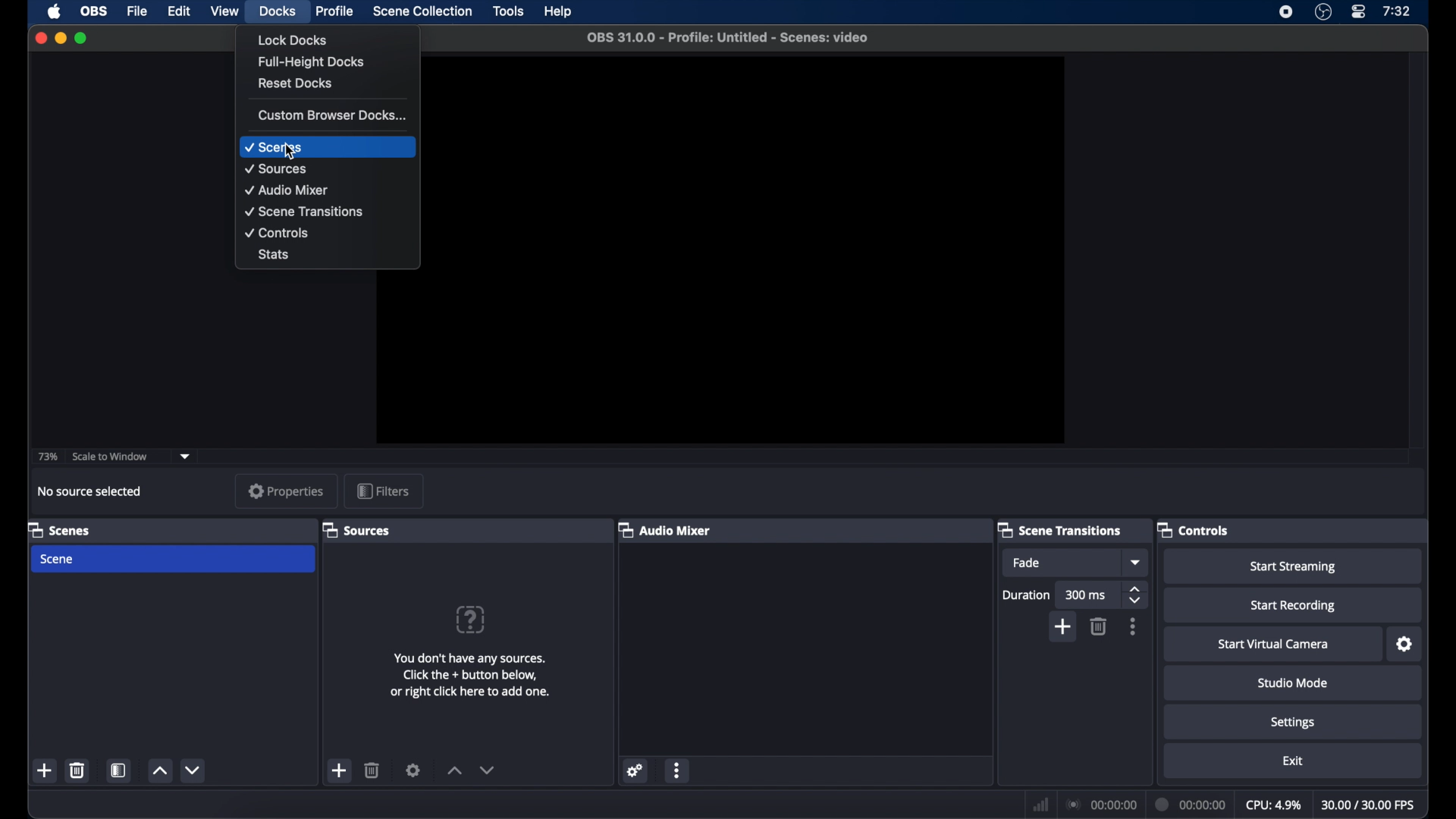 Image resolution: width=1456 pixels, height=819 pixels. Describe the element at coordinates (335, 10) in the screenshot. I see `profile` at that location.